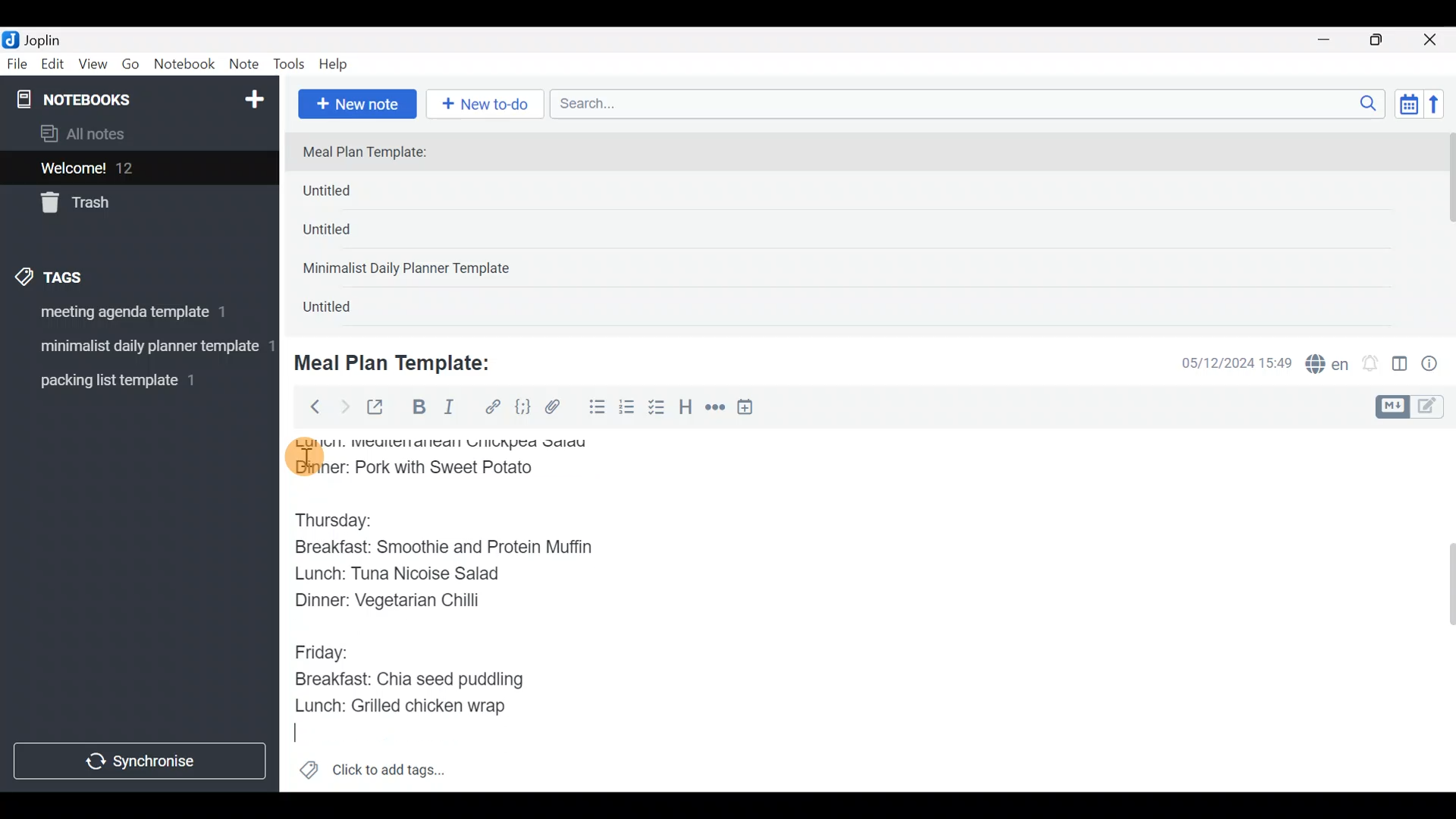  I want to click on Toggle editors, so click(1414, 405).